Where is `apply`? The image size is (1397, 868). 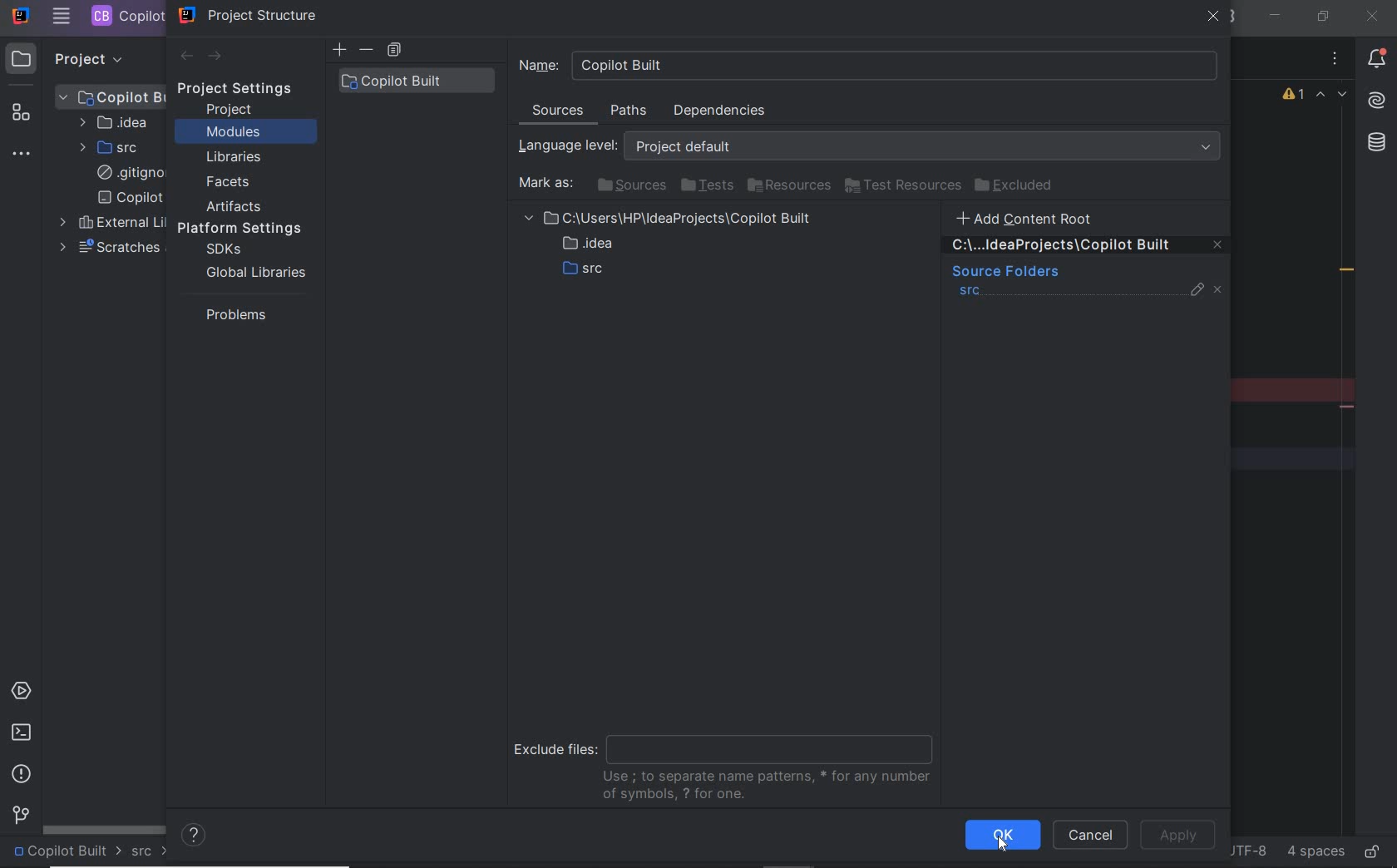 apply is located at coordinates (1177, 836).